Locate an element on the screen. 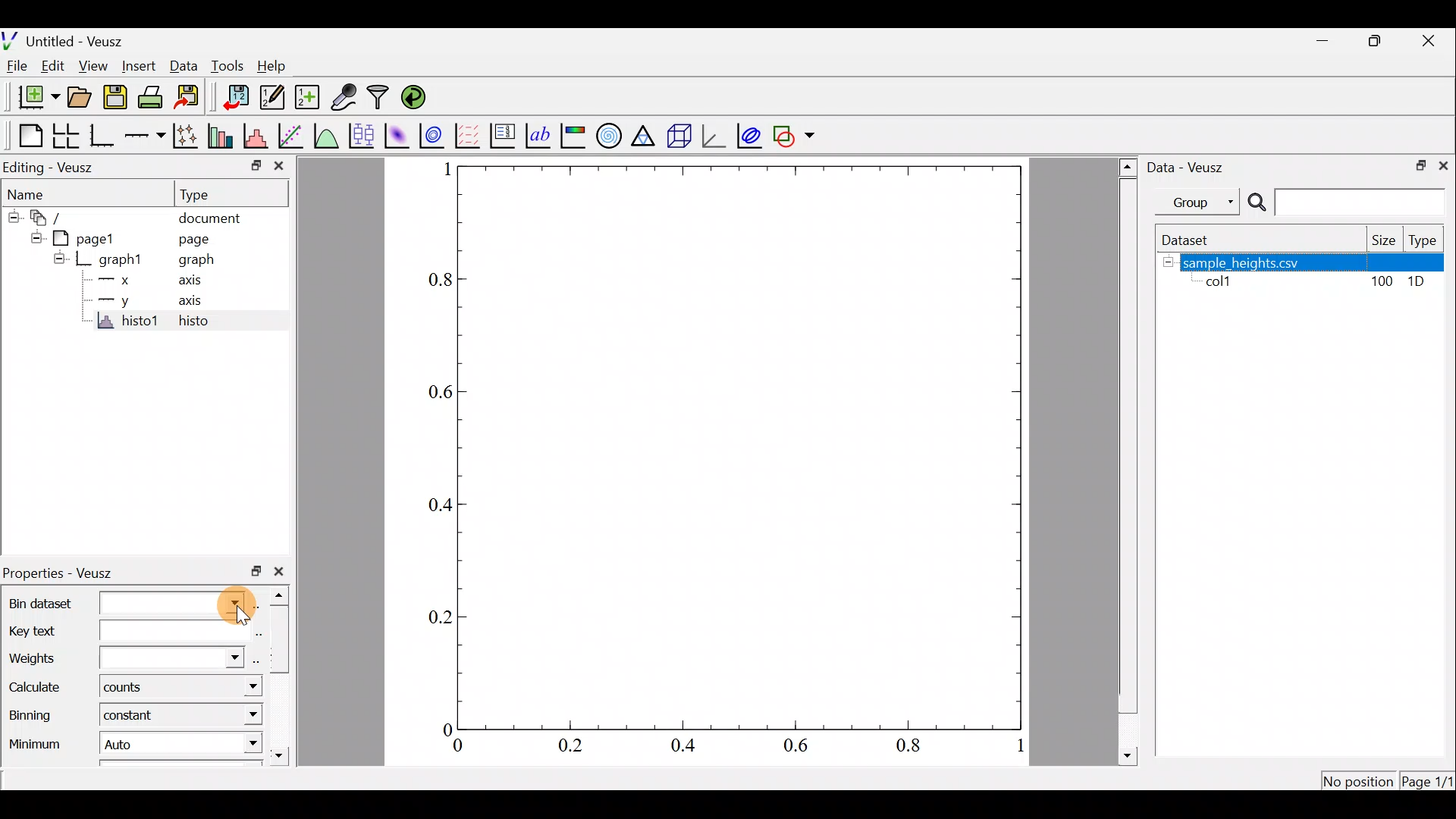 The width and height of the screenshot is (1456, 819). Base graph is located at coordinates (101, 136).